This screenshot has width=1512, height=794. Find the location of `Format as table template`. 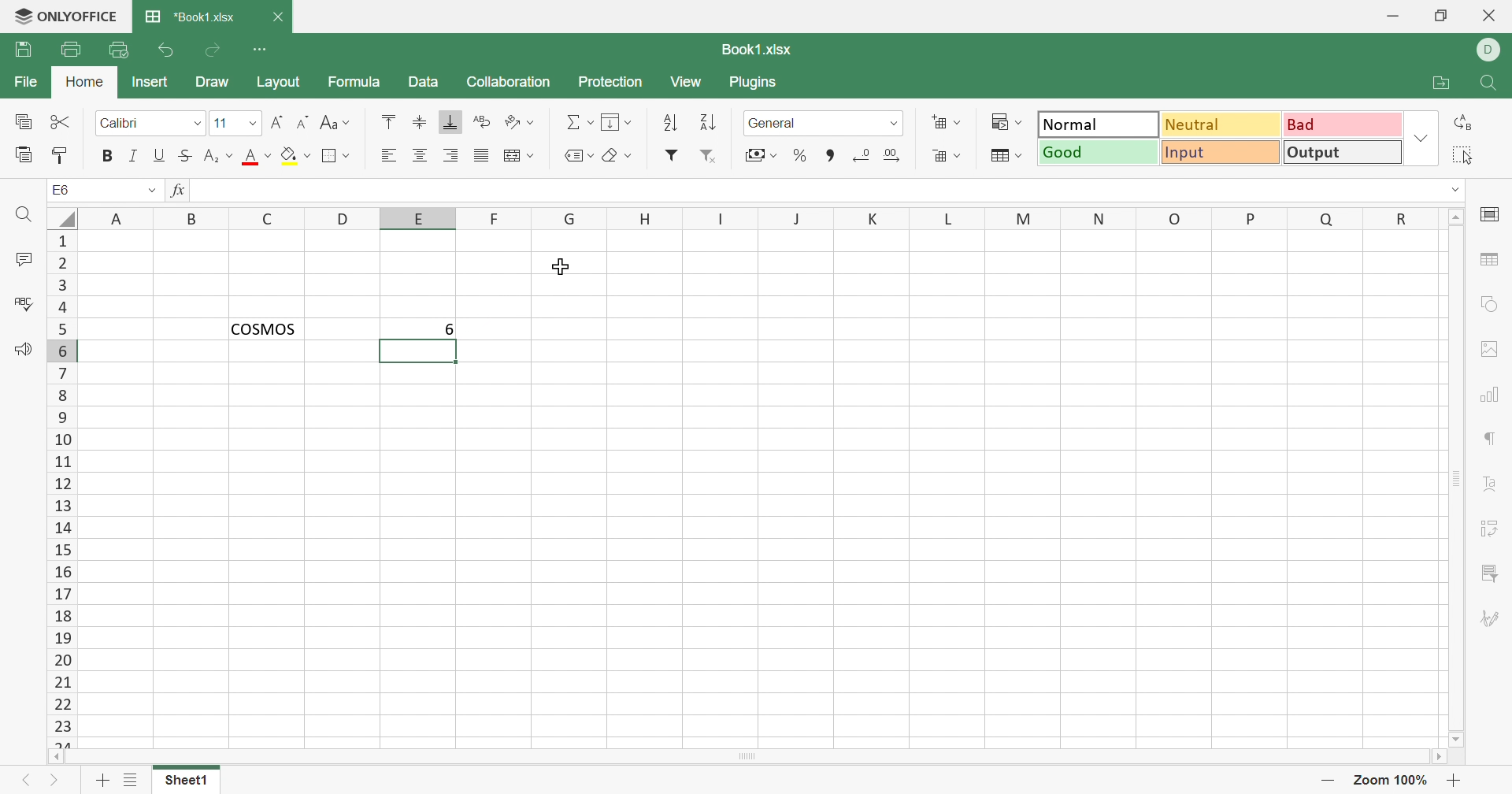

Format as table template is located at coordinates (1007, 157).